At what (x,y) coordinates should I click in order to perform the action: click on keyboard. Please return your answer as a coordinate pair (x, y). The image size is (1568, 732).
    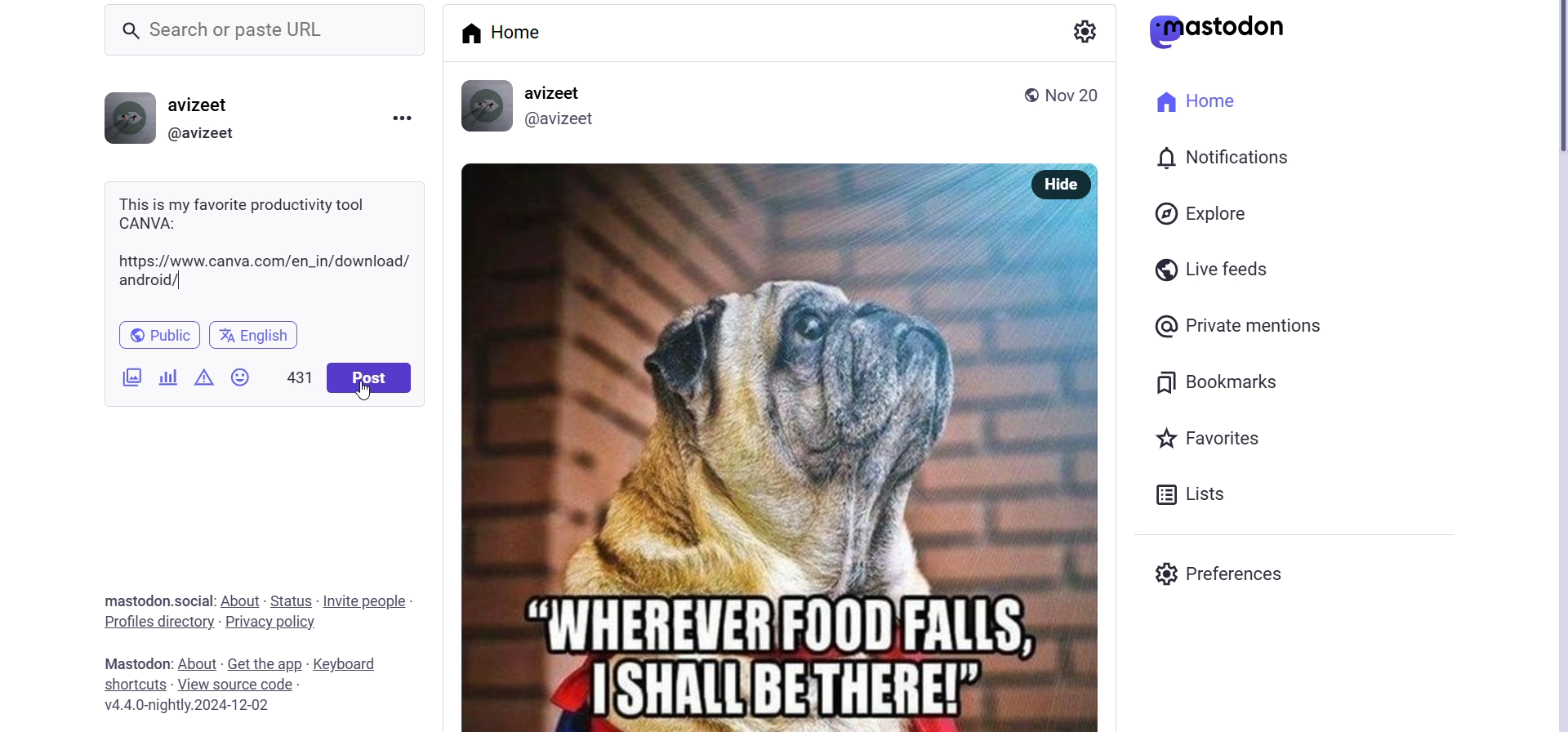
    Looking at the image, I should click on (344, 665).